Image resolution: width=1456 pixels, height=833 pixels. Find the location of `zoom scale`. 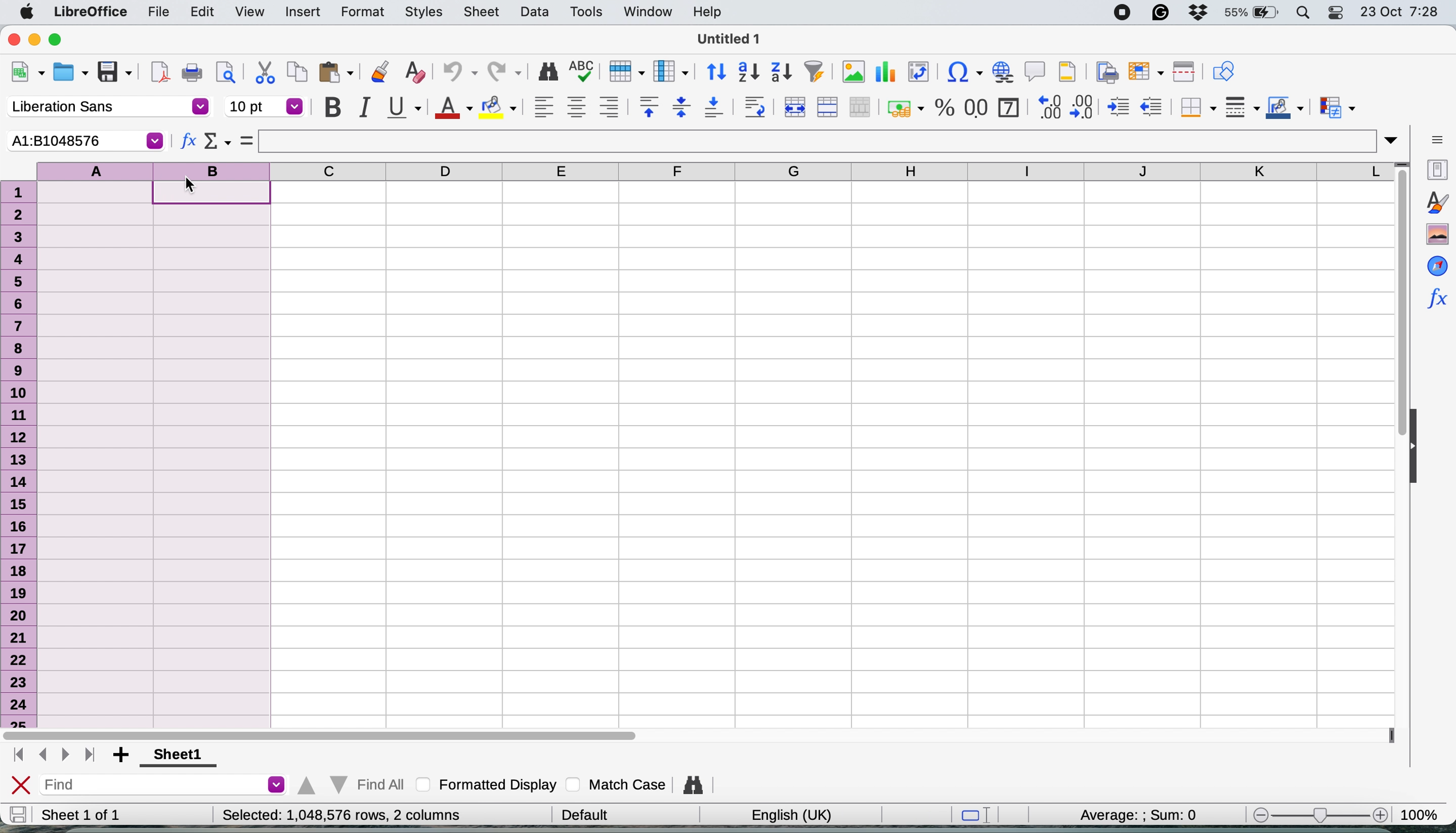

zoom scale is located at coordinates (1315, 815).